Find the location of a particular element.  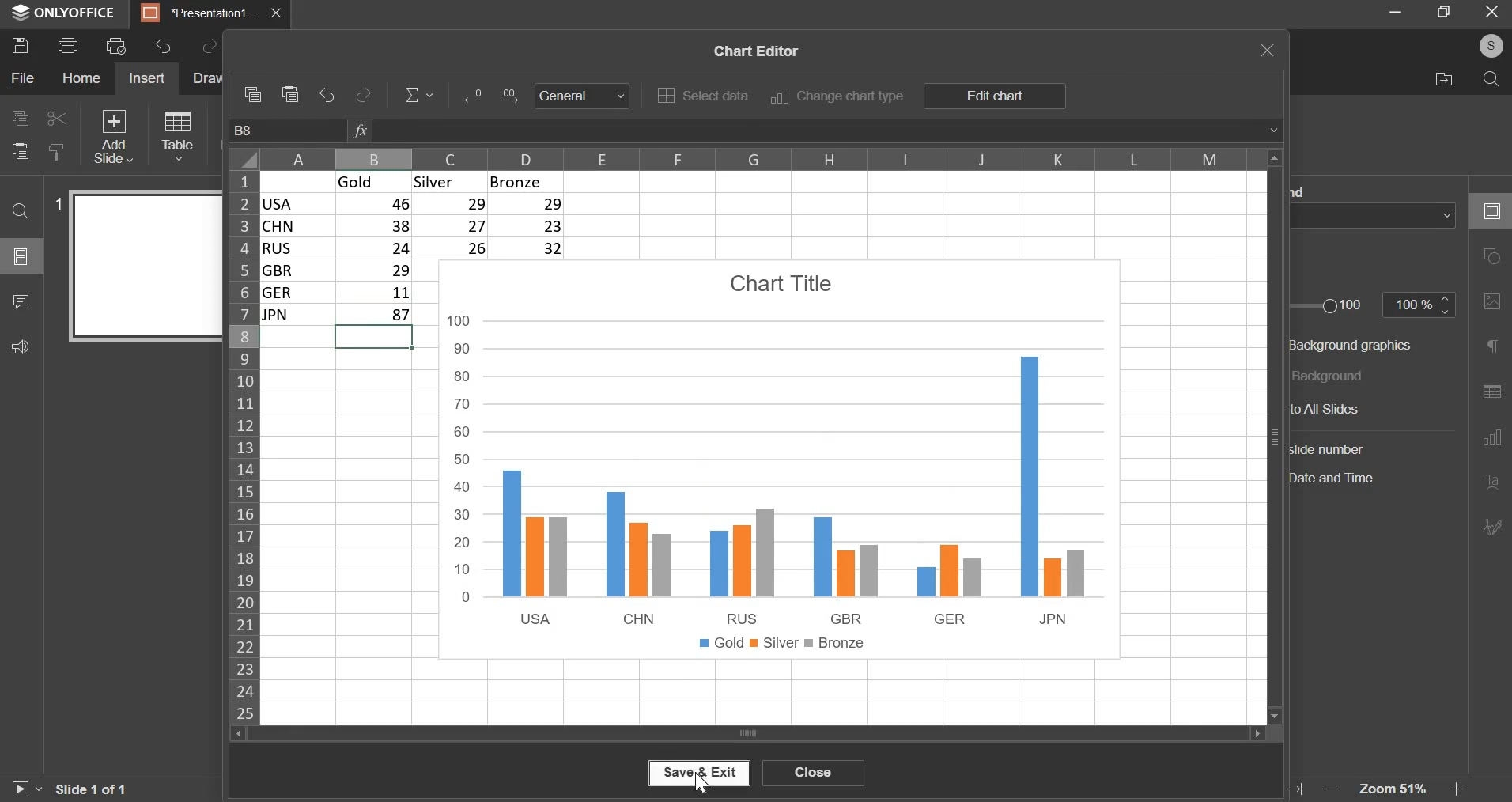

zoom out is located at coordinates (1327, 787).